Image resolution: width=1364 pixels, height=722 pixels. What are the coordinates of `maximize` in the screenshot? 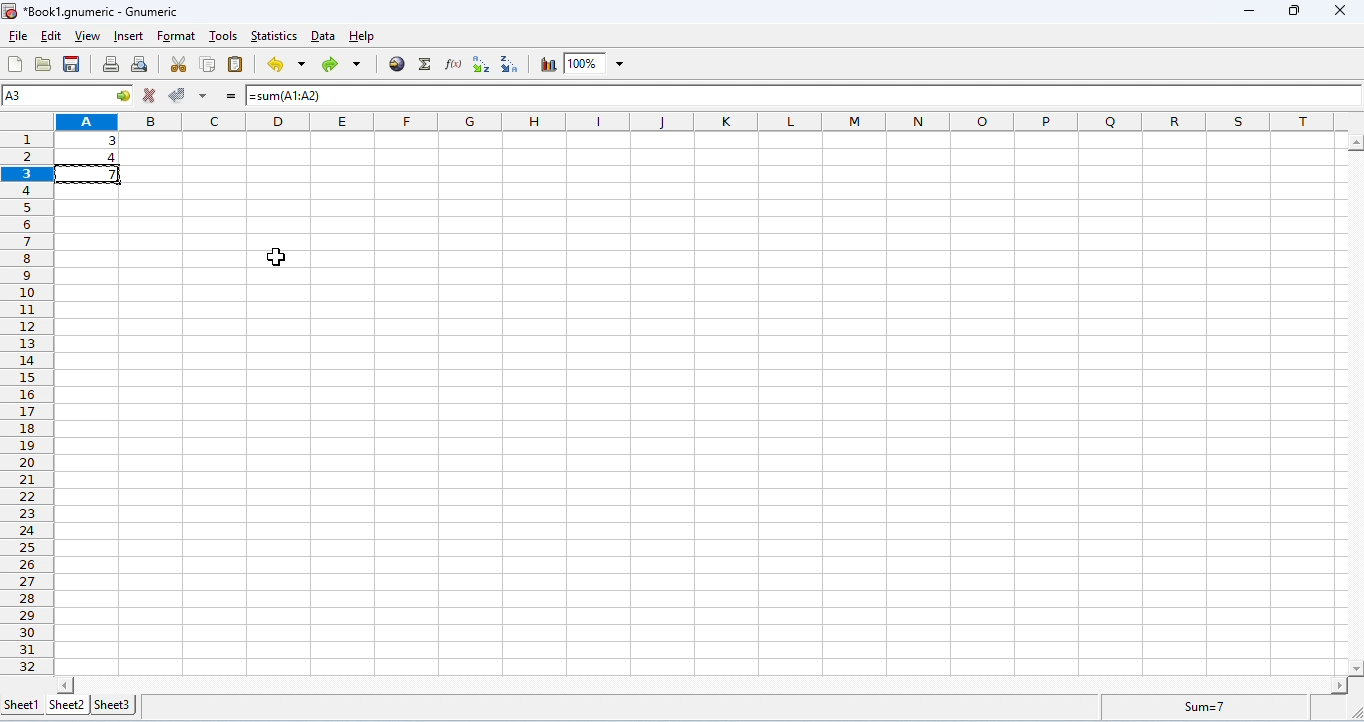 It's located at (1294, 11).